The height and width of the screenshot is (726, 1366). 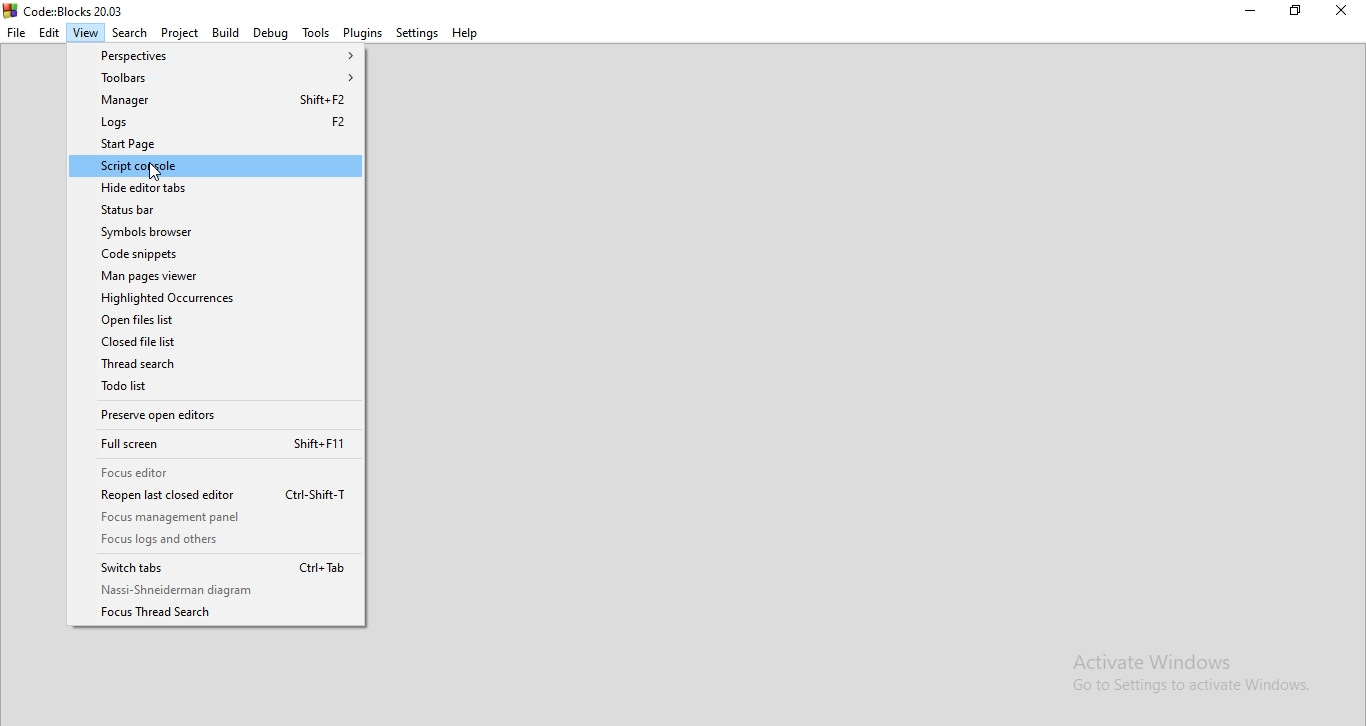 I want to click on Focus Thread Search, so click(x=217, y=612).